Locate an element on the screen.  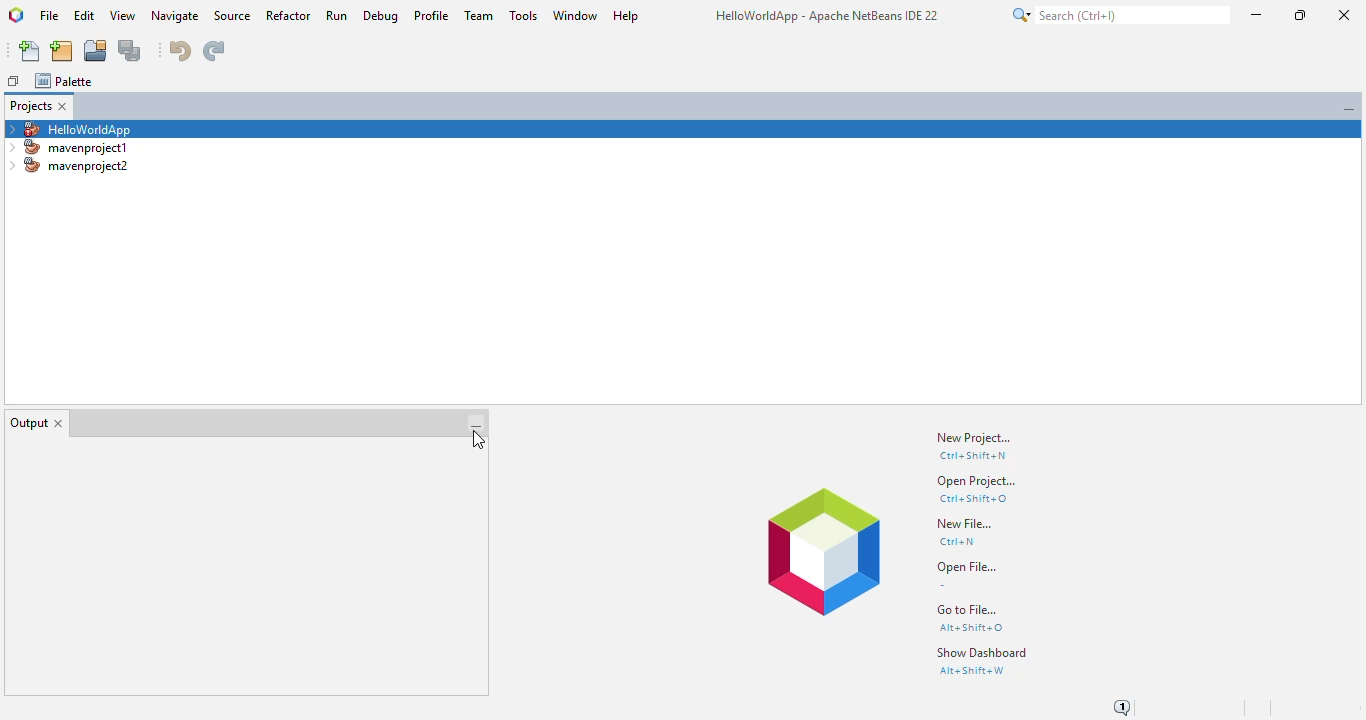
run is located at coordinates (337, 15).